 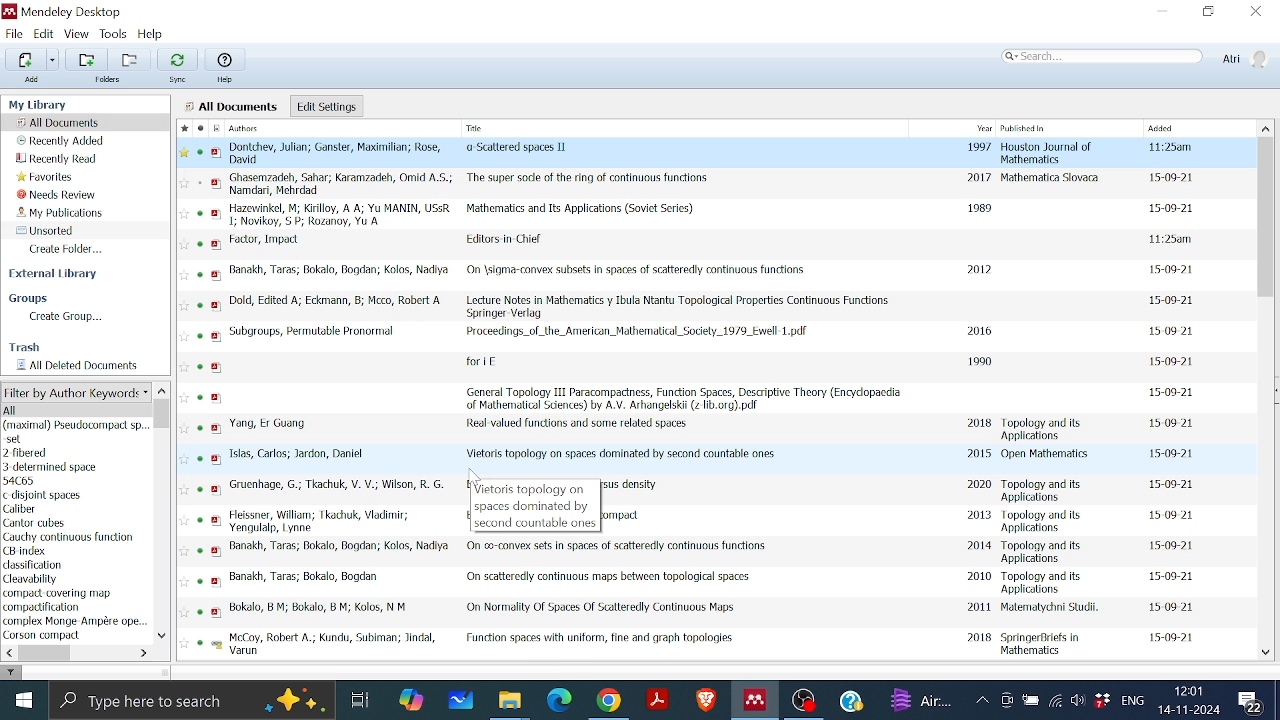 I want to click on Author, so click(x=330, y=644).